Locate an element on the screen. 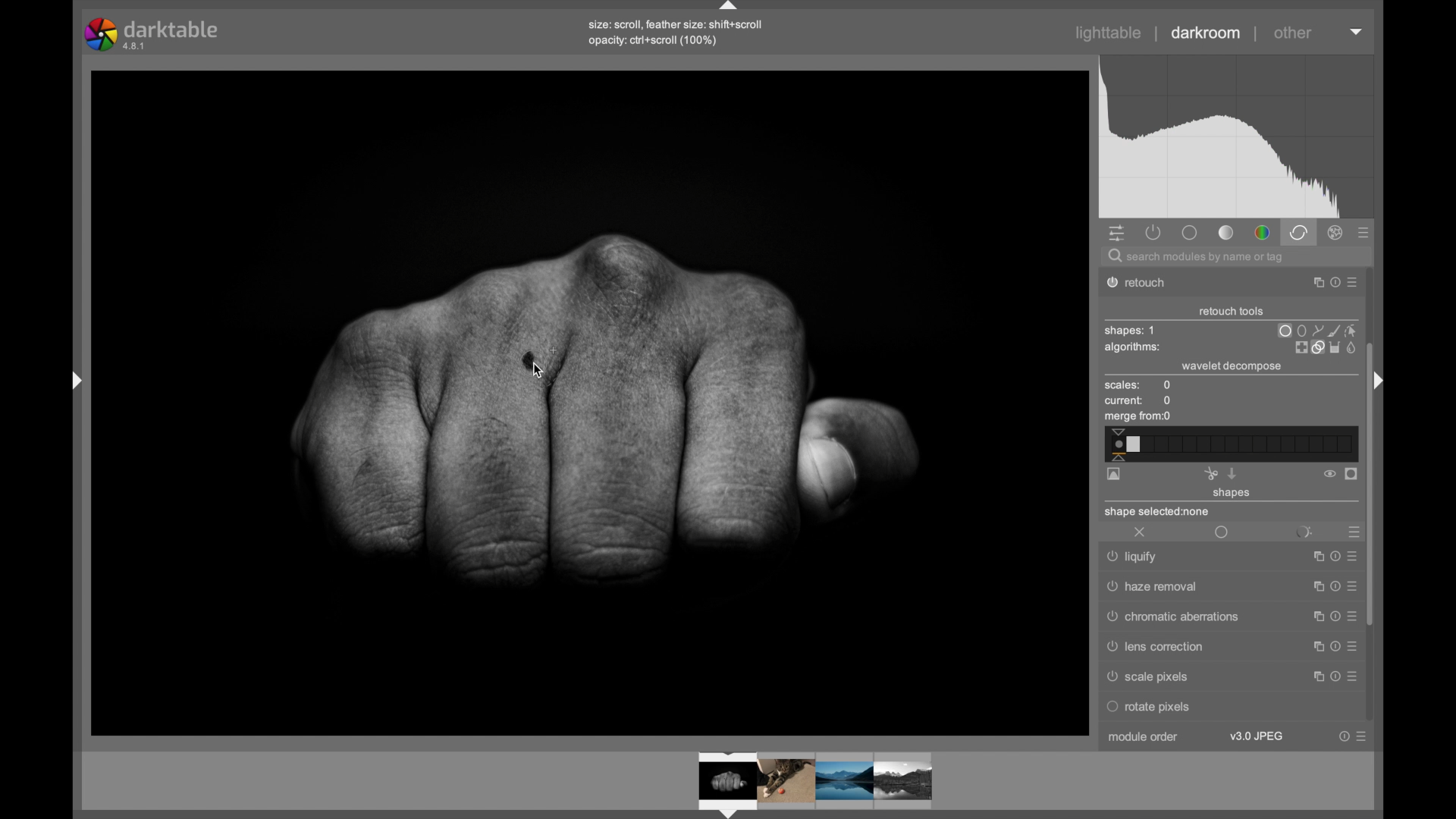 This screenshot has width=1456, height=819. shape selected:none is located at coordinates (1159, 513).